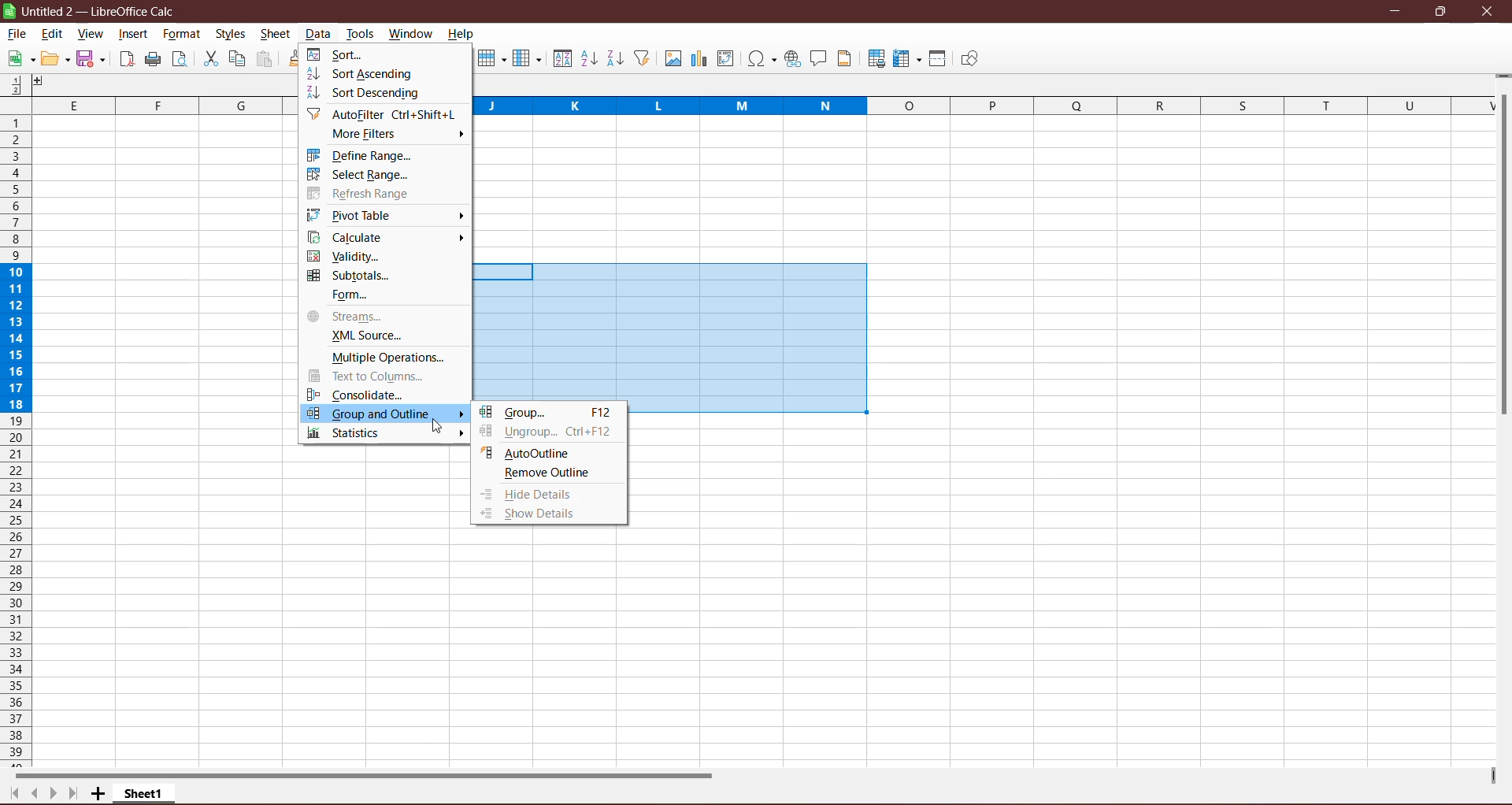 This screenshot has height=805, width=1512. What do you see at coordinates (544, 514) in the screenshot?
I see `Show Details` at bounding box center [544, 514].